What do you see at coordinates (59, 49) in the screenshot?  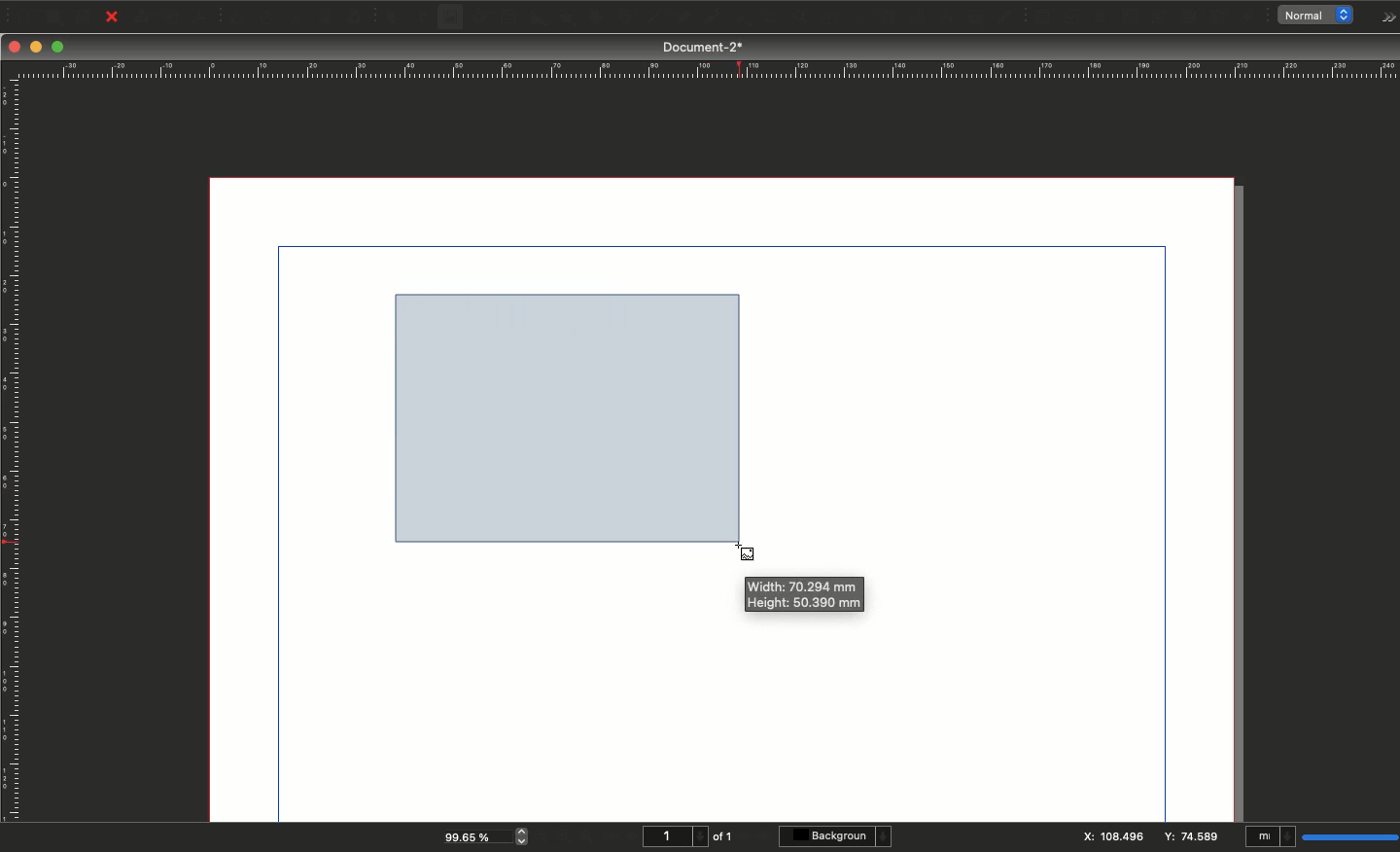 I see `Maximize` at bounding box center [59, 49].